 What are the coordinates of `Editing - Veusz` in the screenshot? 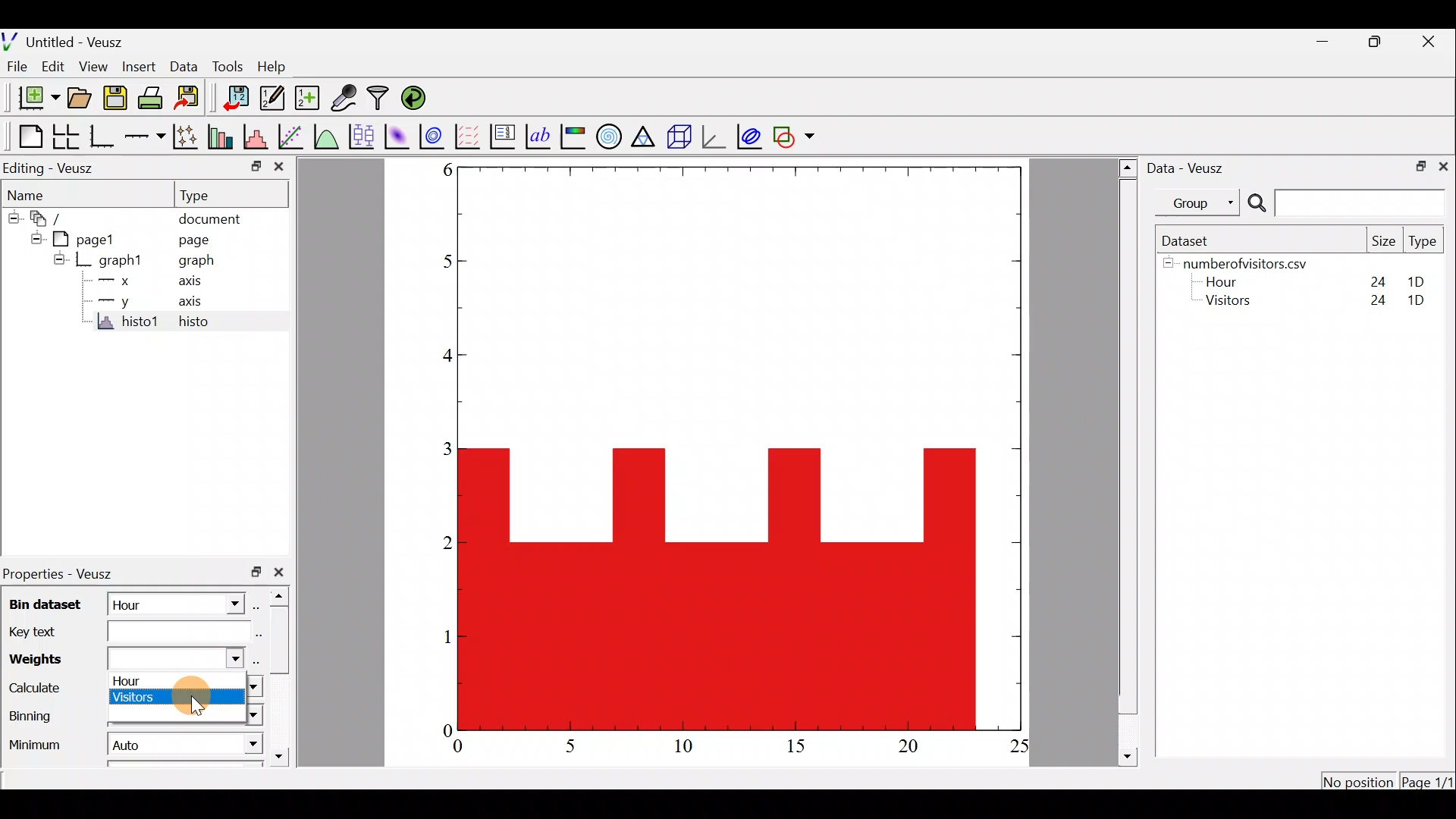 It's located at (52, 168).